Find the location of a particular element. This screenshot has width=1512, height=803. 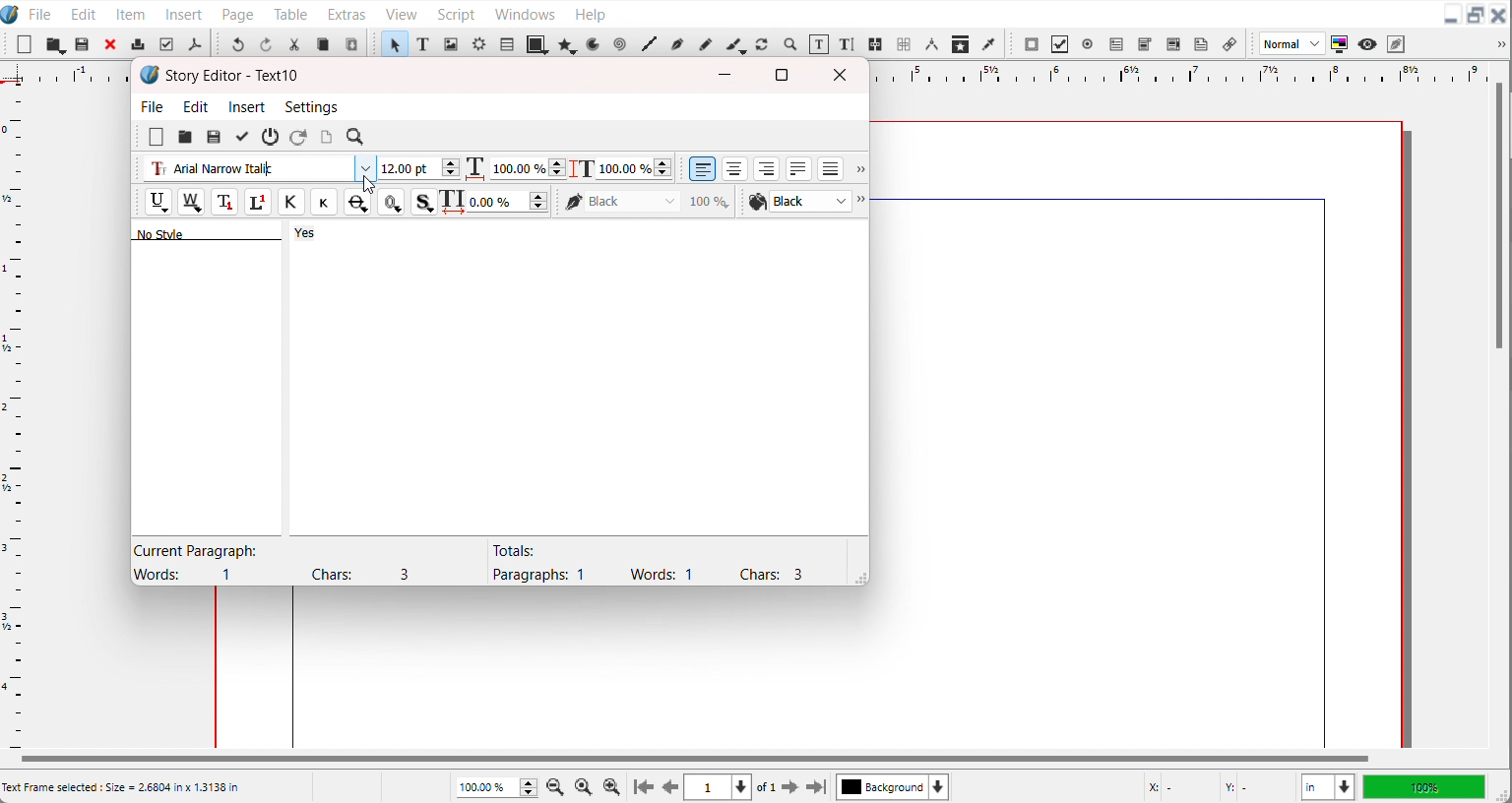

Go to previous page is located at coordinates (670, 787).